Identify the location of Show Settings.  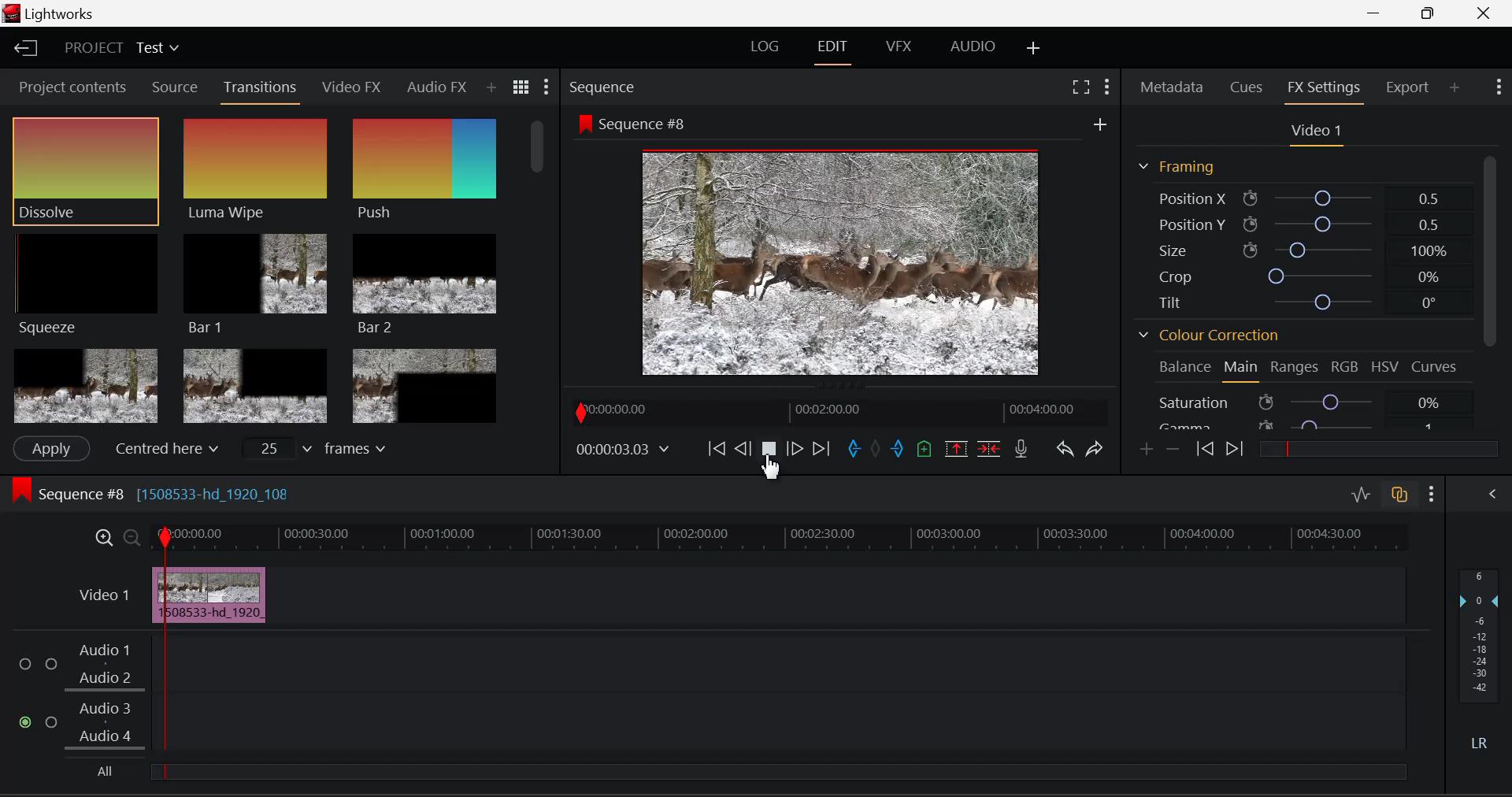
(547, 86).